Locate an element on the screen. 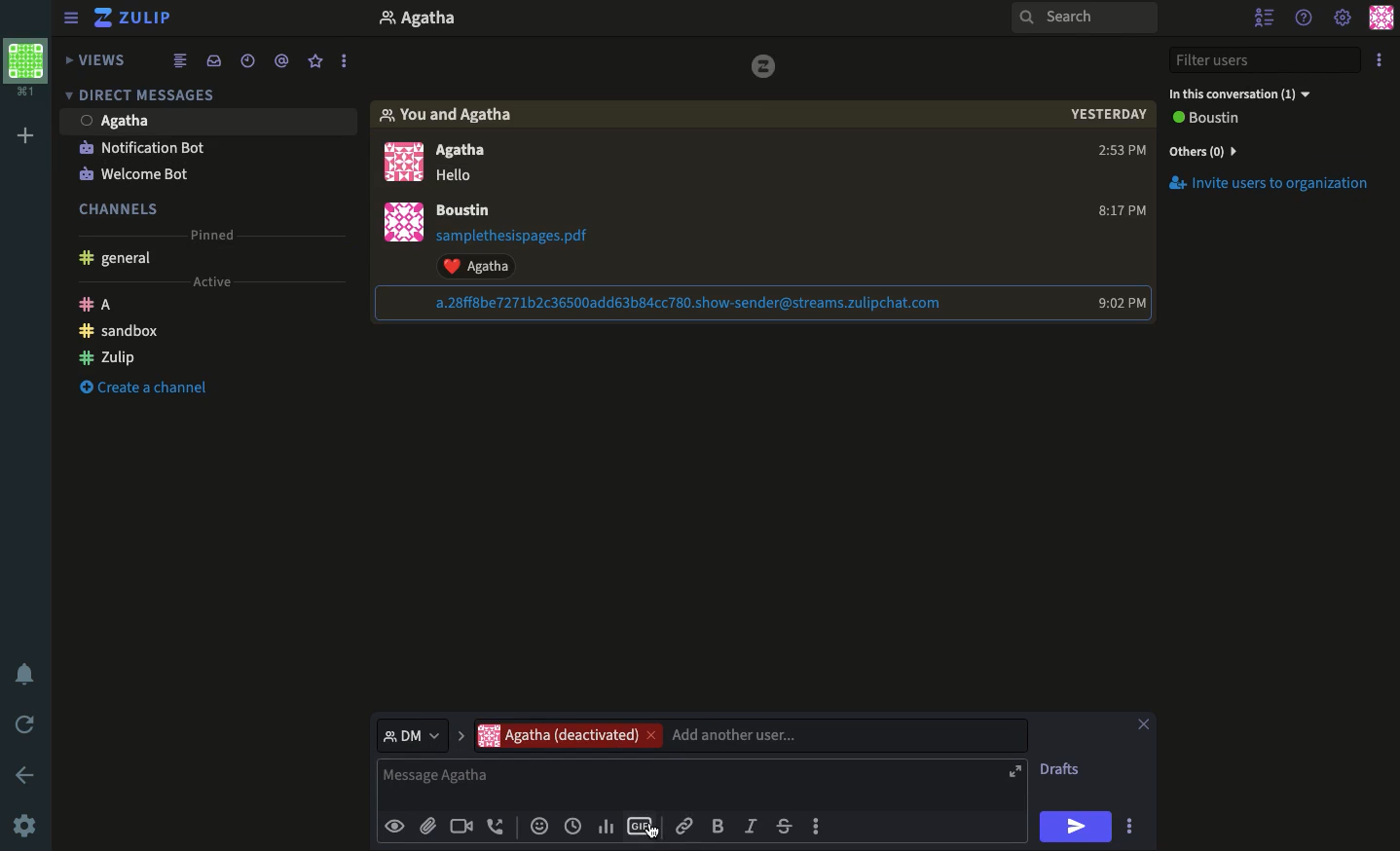  Profile is located at coordinates (419, 18).